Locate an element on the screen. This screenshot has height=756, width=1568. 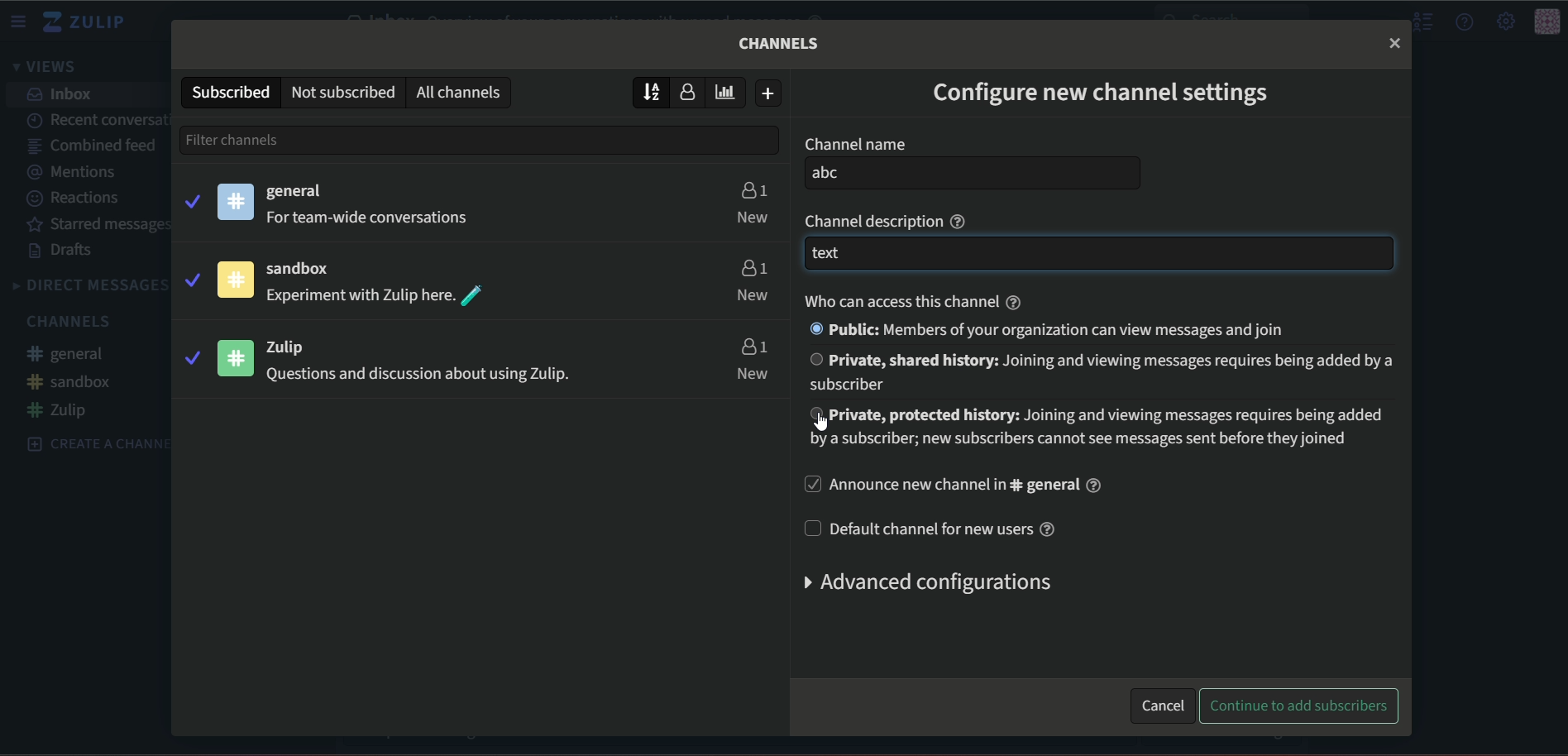
channels is located at coordinates (781, 43).